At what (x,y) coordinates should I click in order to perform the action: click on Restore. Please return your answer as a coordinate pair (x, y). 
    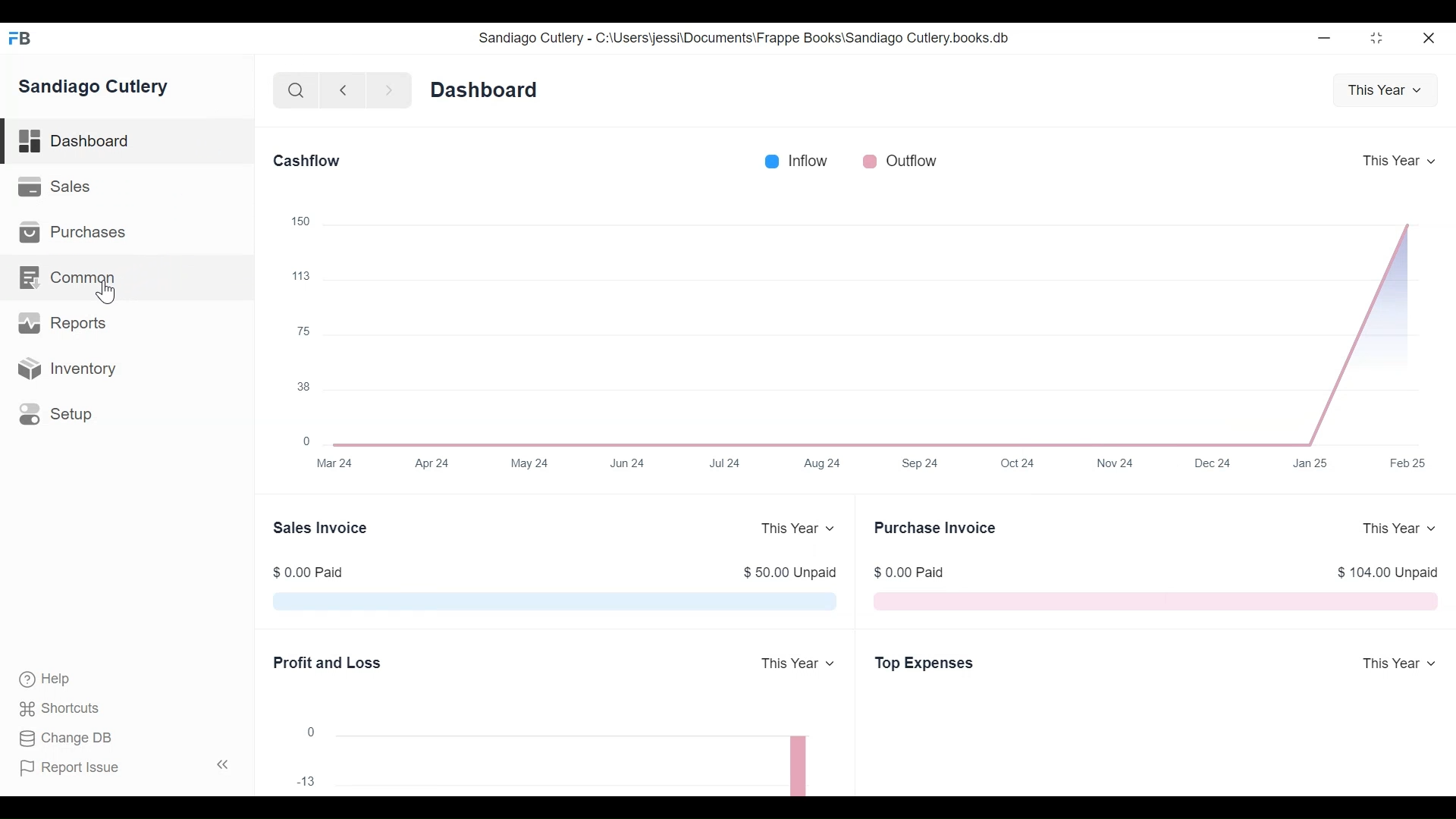
    Looking at the image, I should click on (1376, 39).